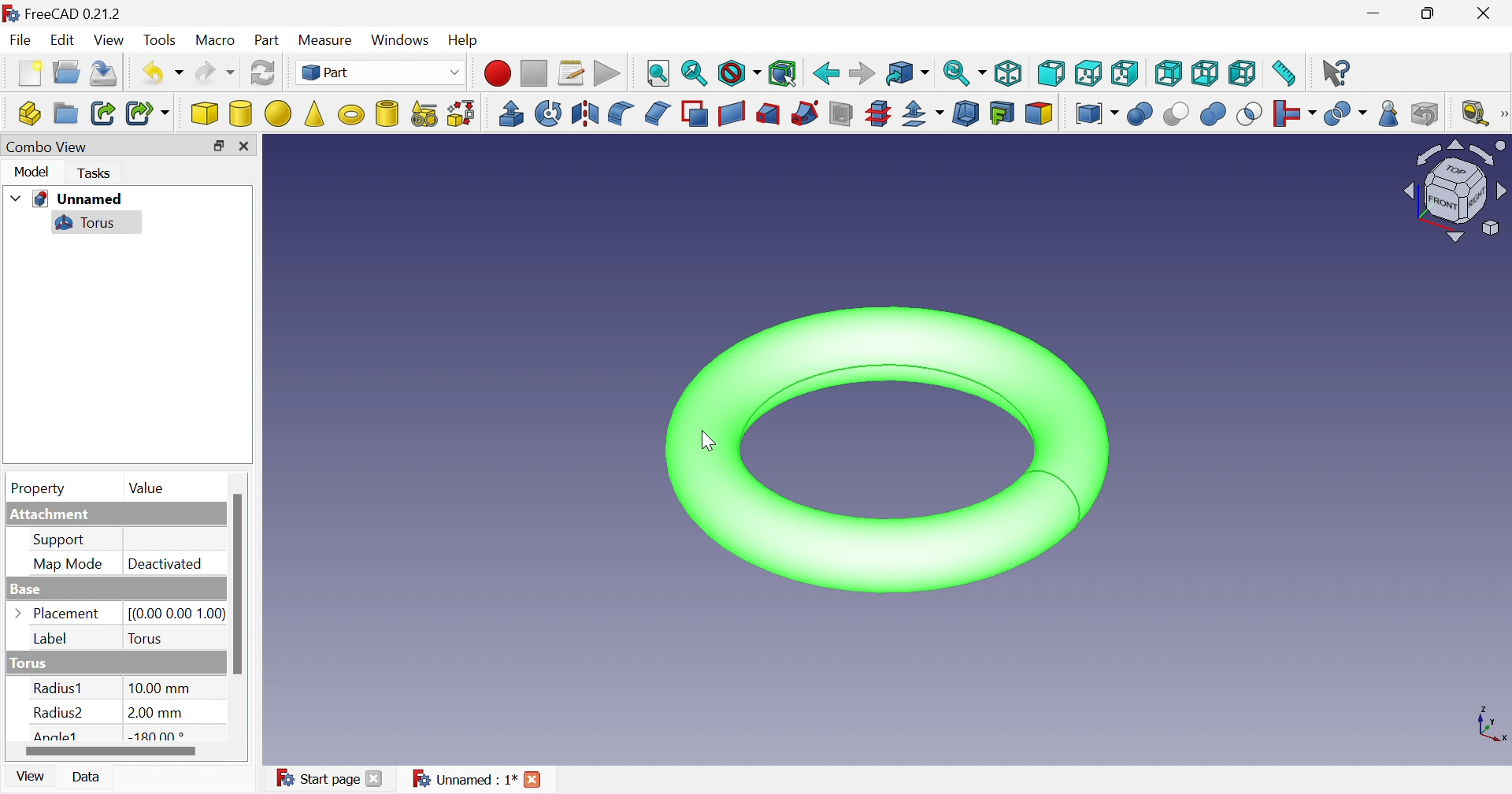 Image resolution: width=1512 pixels, height=794 pixels. What do you see at coordinates (327, 38) in the screenshot?
I see `Measure` at bounding box center [327, 38].